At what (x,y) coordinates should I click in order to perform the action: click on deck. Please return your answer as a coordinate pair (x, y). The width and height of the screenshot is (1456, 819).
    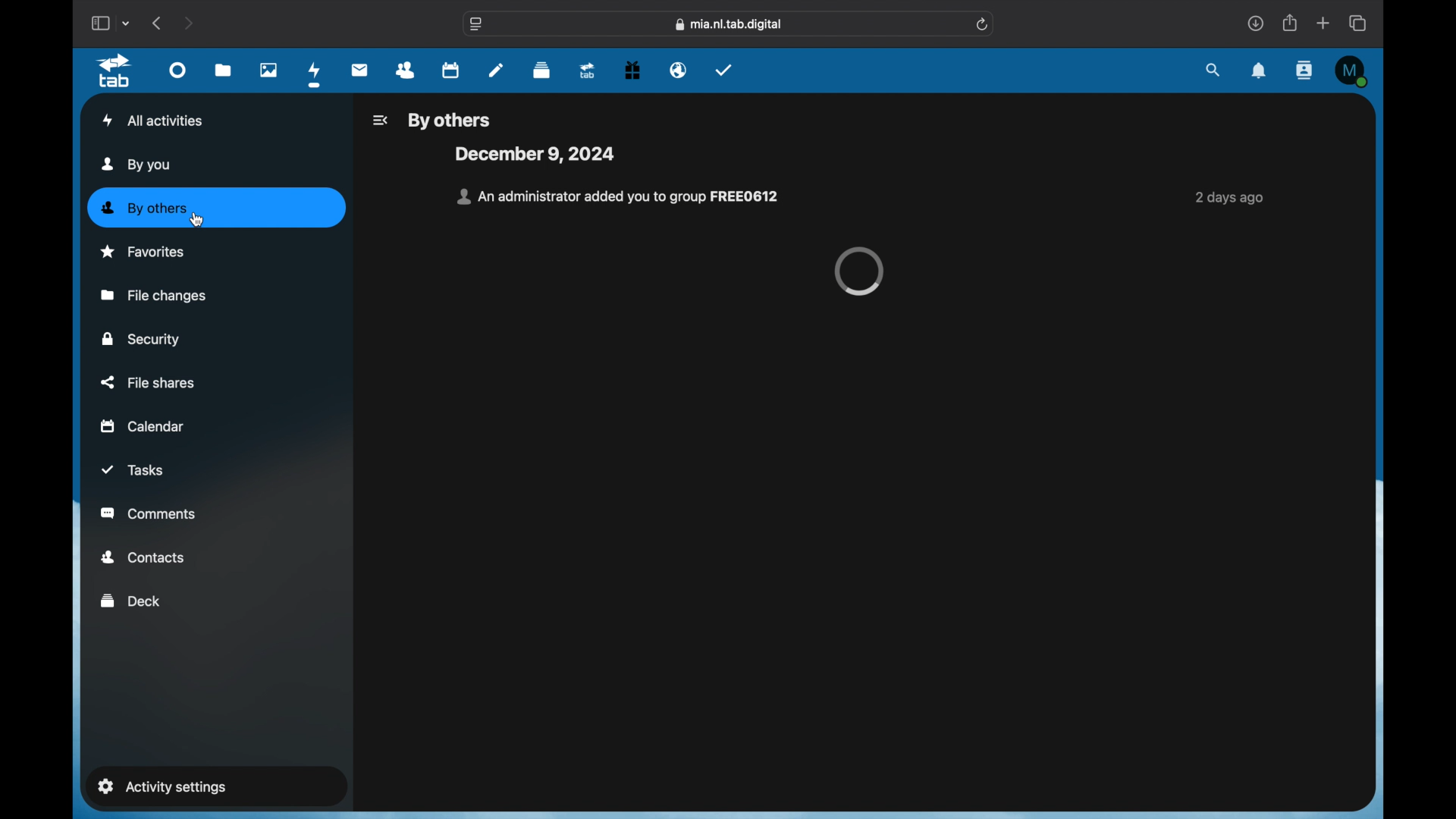
    Looking at the image, I should click on (131, 600).